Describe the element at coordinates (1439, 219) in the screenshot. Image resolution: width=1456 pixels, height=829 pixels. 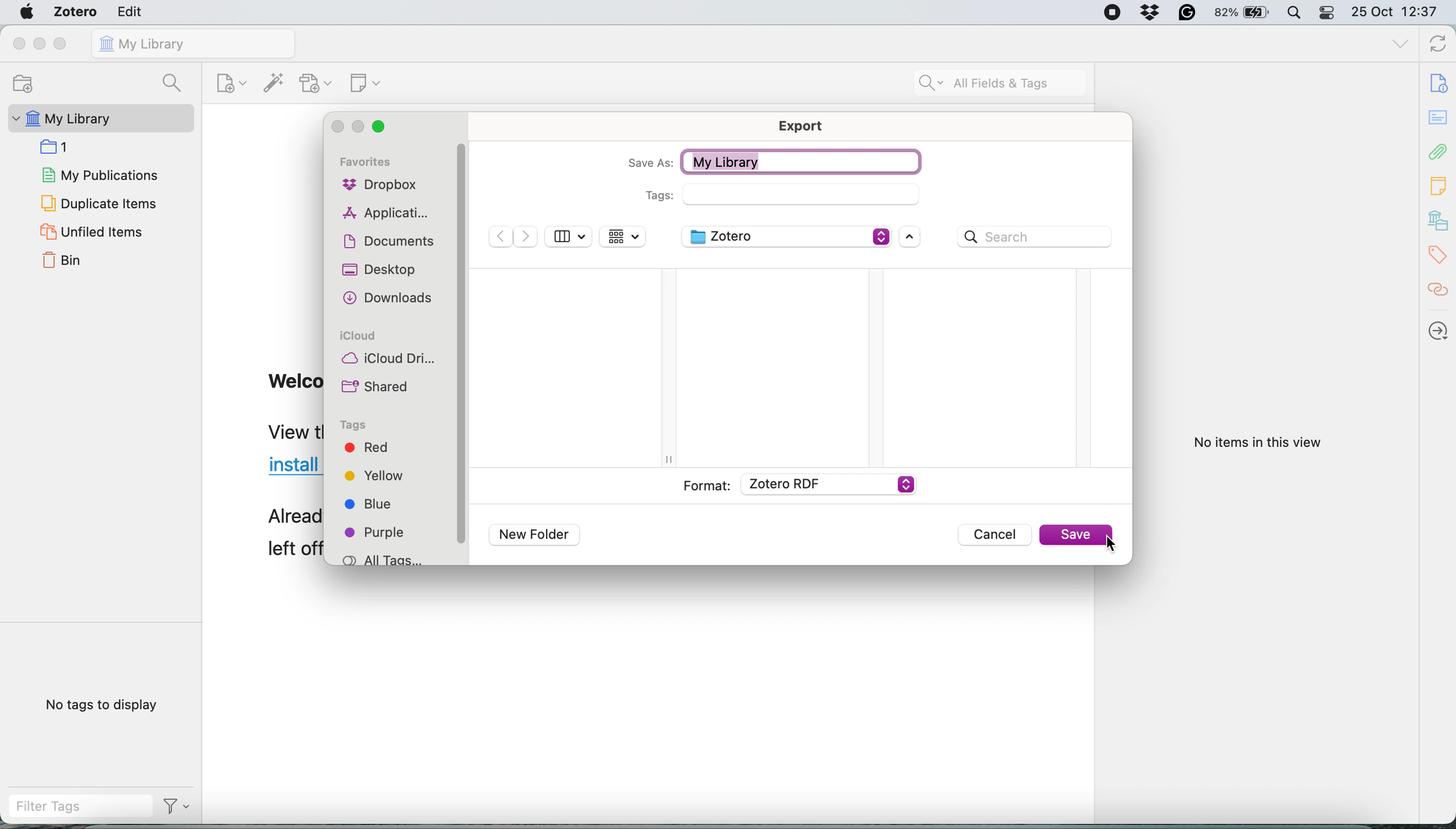
I see `my library` at that location.